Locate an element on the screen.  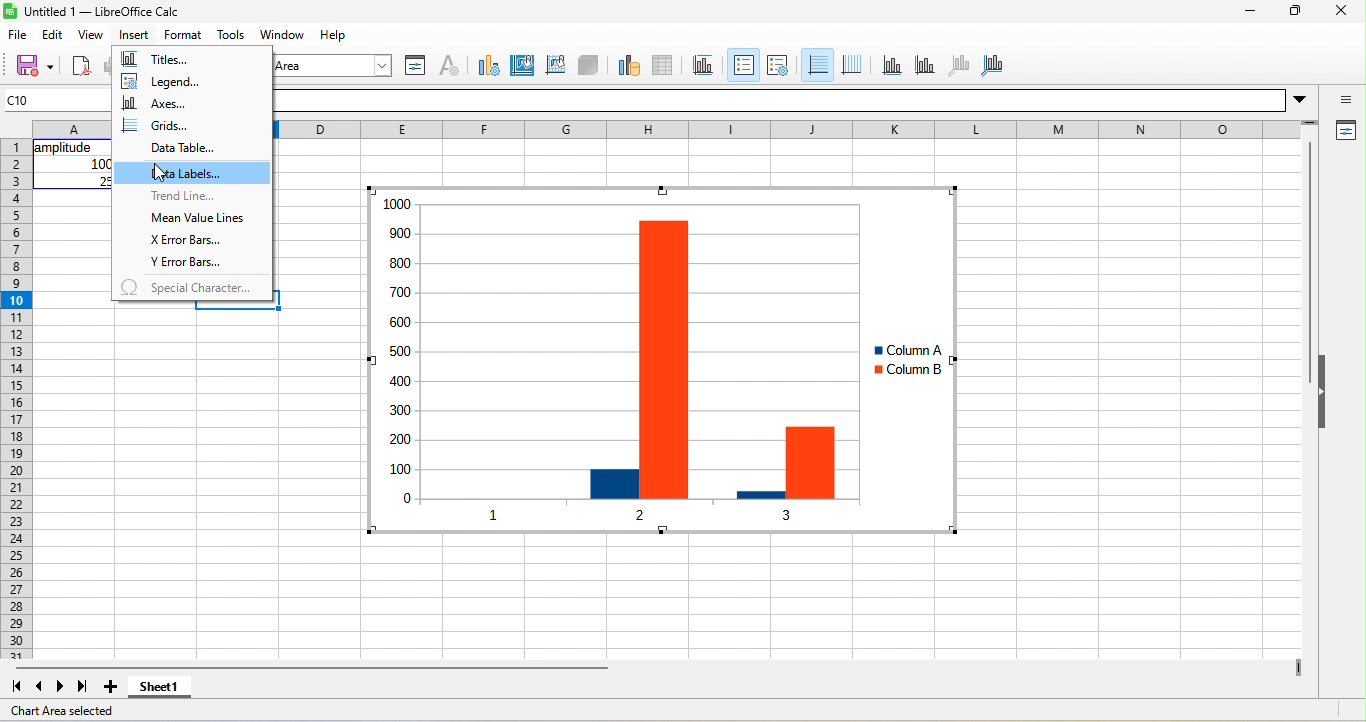
x axis is located at coordinates (890, 65).